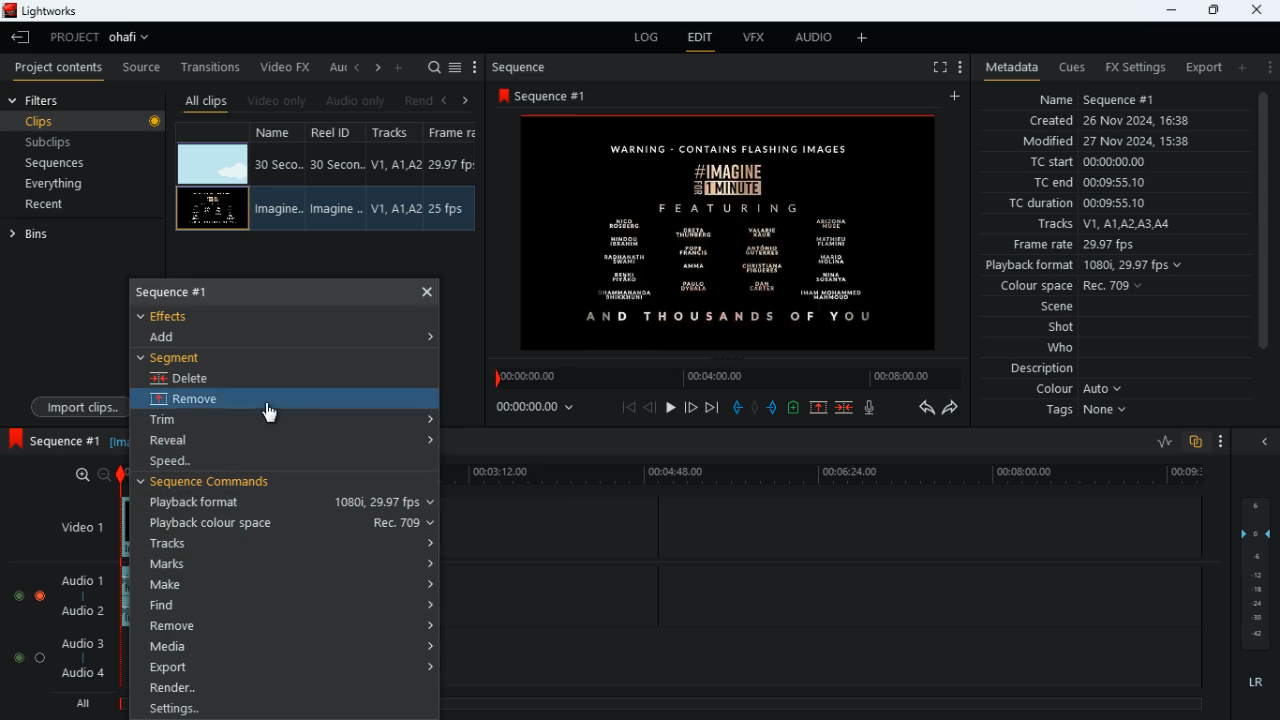  I want to click on leave, so click(21, 35).